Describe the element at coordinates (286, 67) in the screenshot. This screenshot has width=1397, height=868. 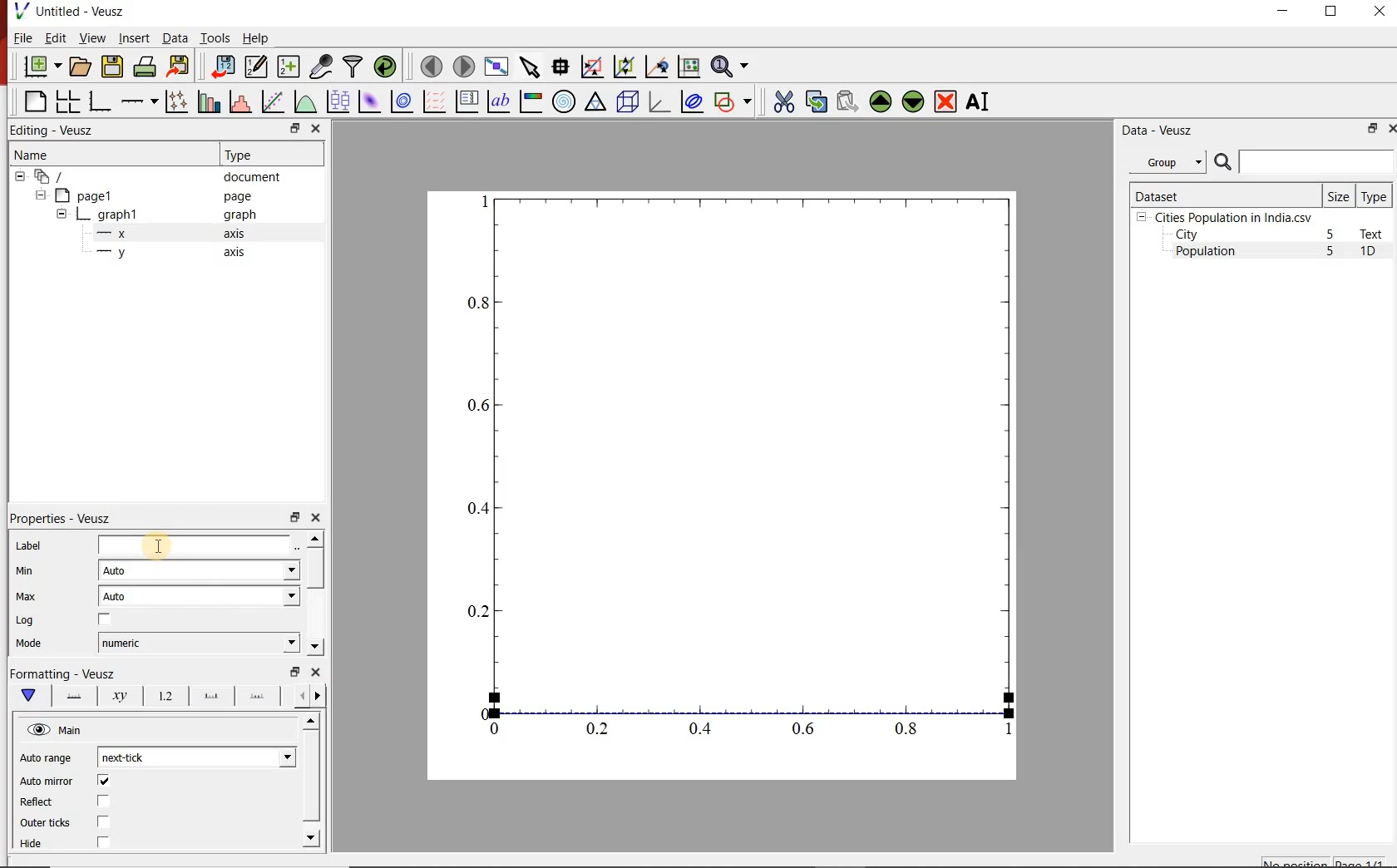
I see `create new datasets using available options` at that location.